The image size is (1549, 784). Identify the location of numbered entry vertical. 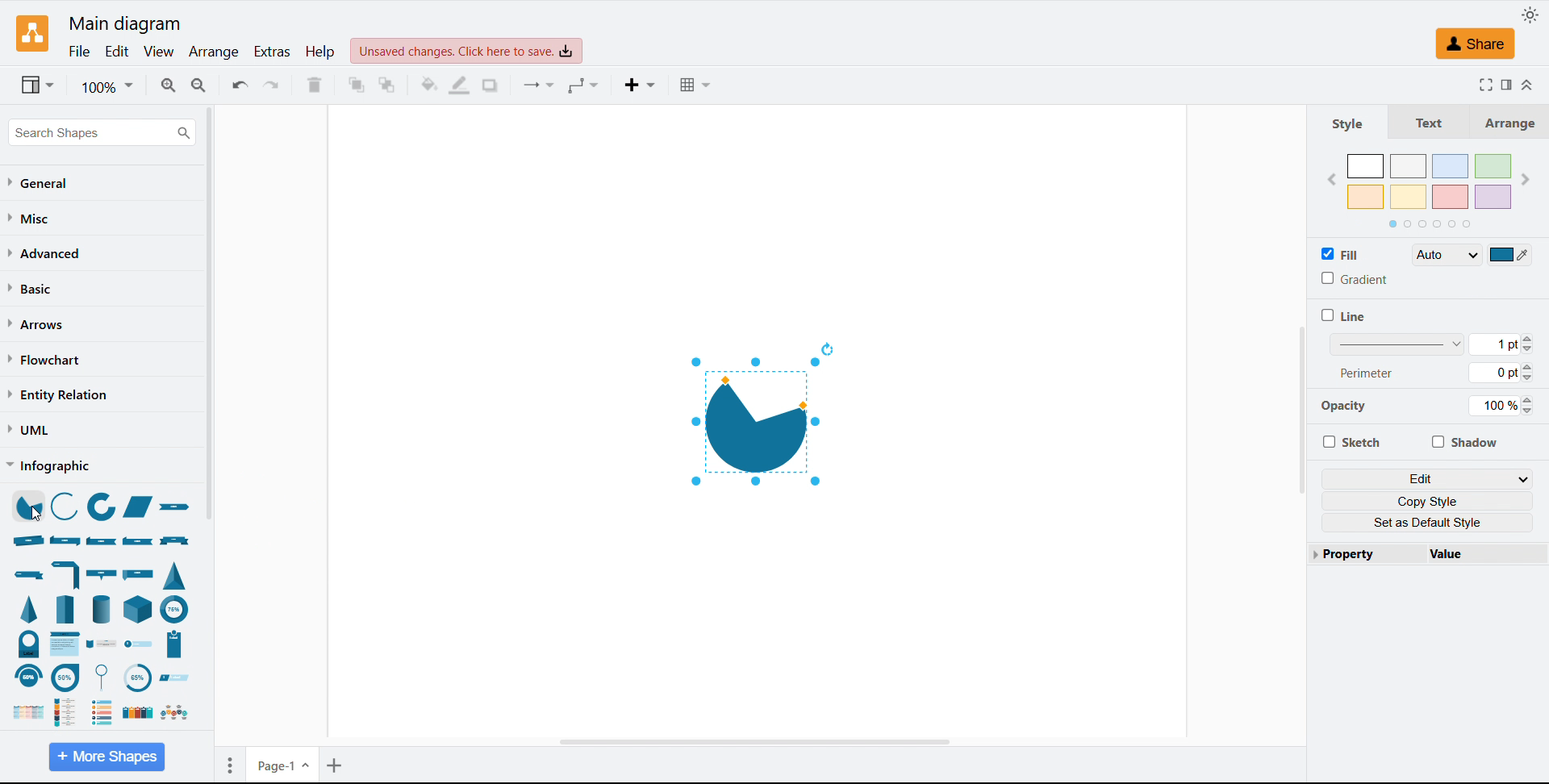
(175, 645).